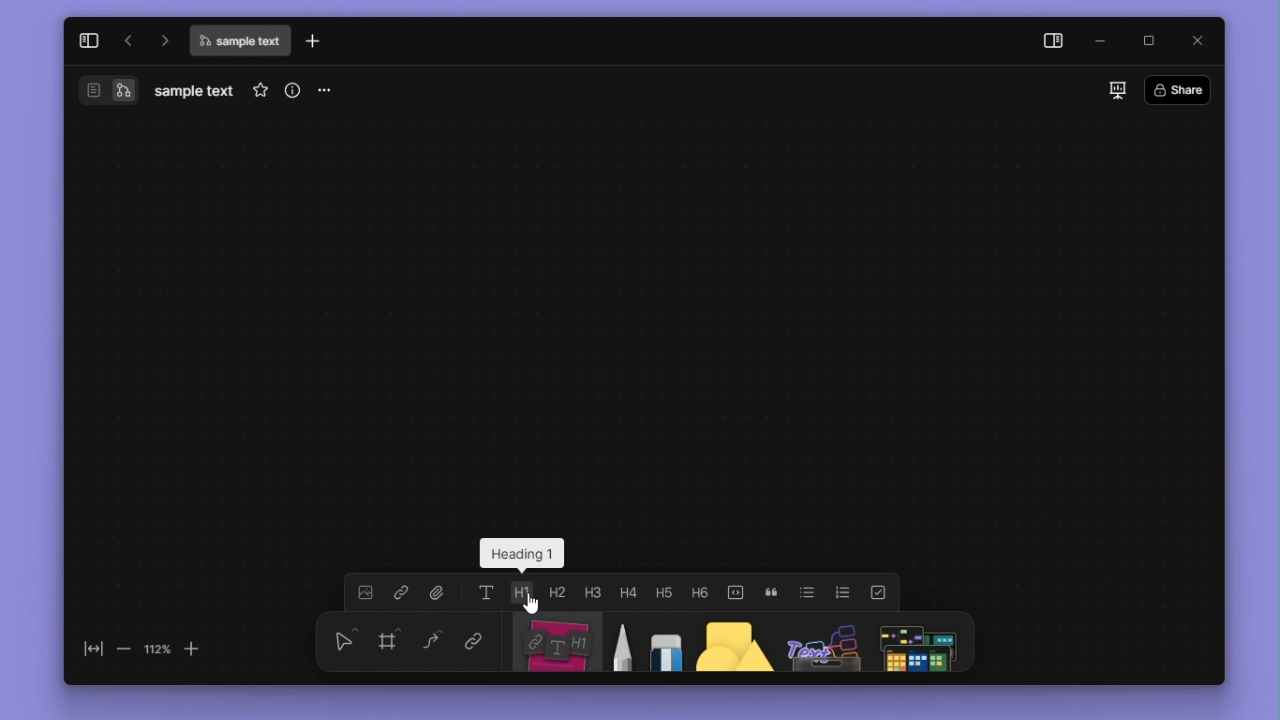 The width and height of the screenshot is (1280, 720). What do you see at coordinates (163, 40) in the screenshot?
I see `go forward` at bounding box center [163, 40].